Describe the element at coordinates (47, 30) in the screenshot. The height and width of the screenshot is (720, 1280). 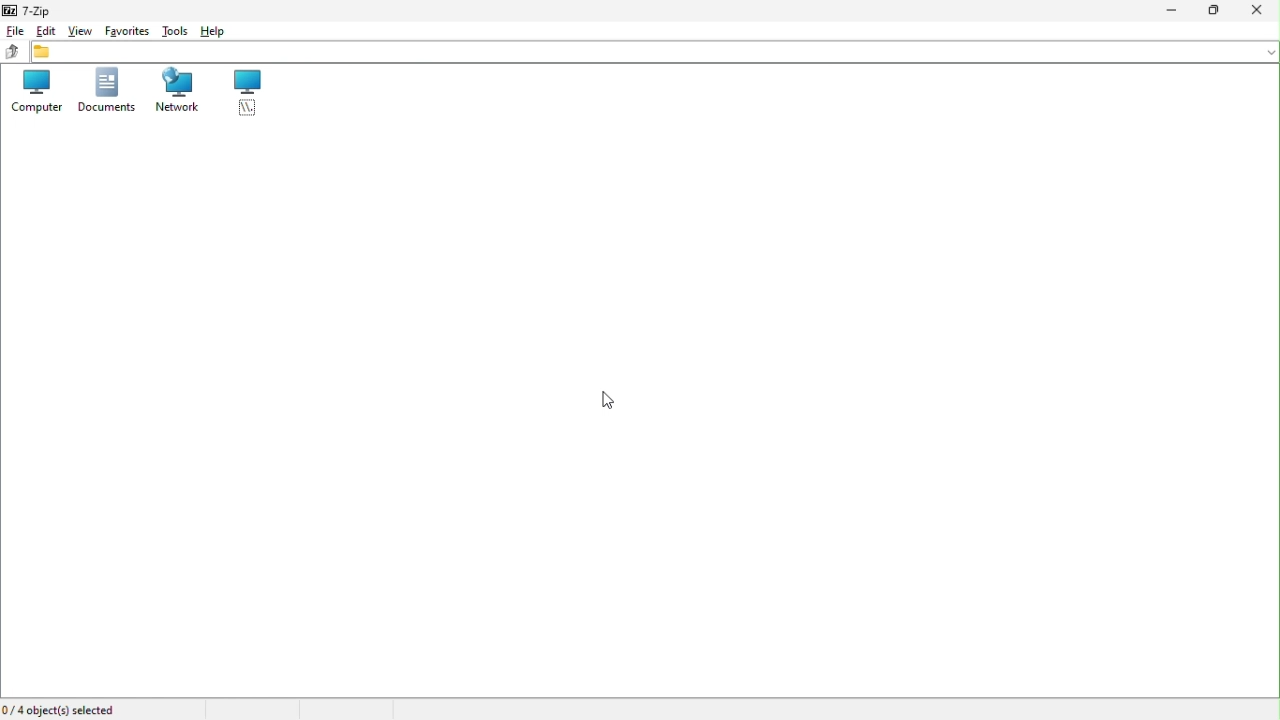
I see `Edit` at that location.